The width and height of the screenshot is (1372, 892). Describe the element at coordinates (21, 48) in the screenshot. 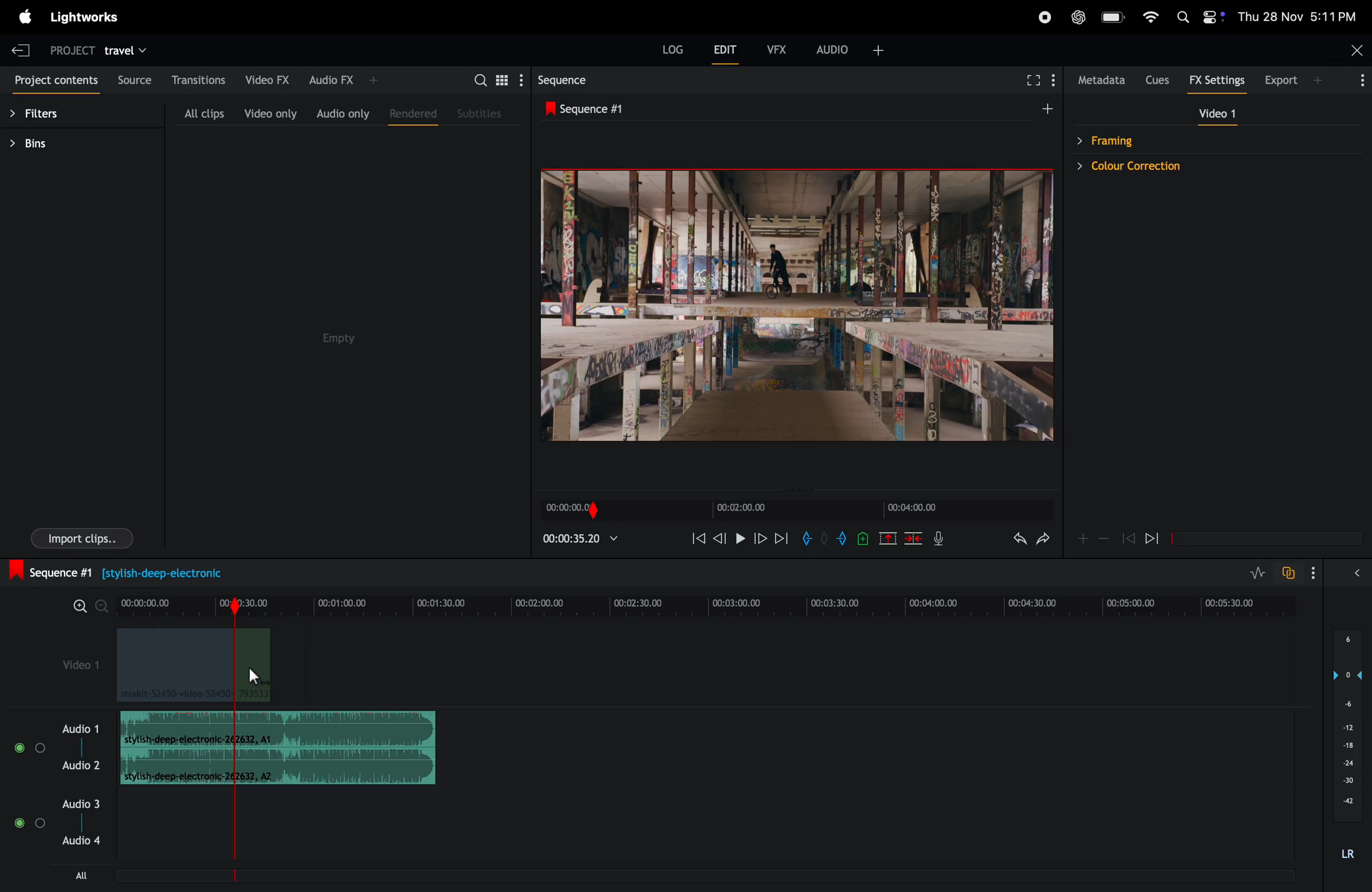

I see `exit` at that location.